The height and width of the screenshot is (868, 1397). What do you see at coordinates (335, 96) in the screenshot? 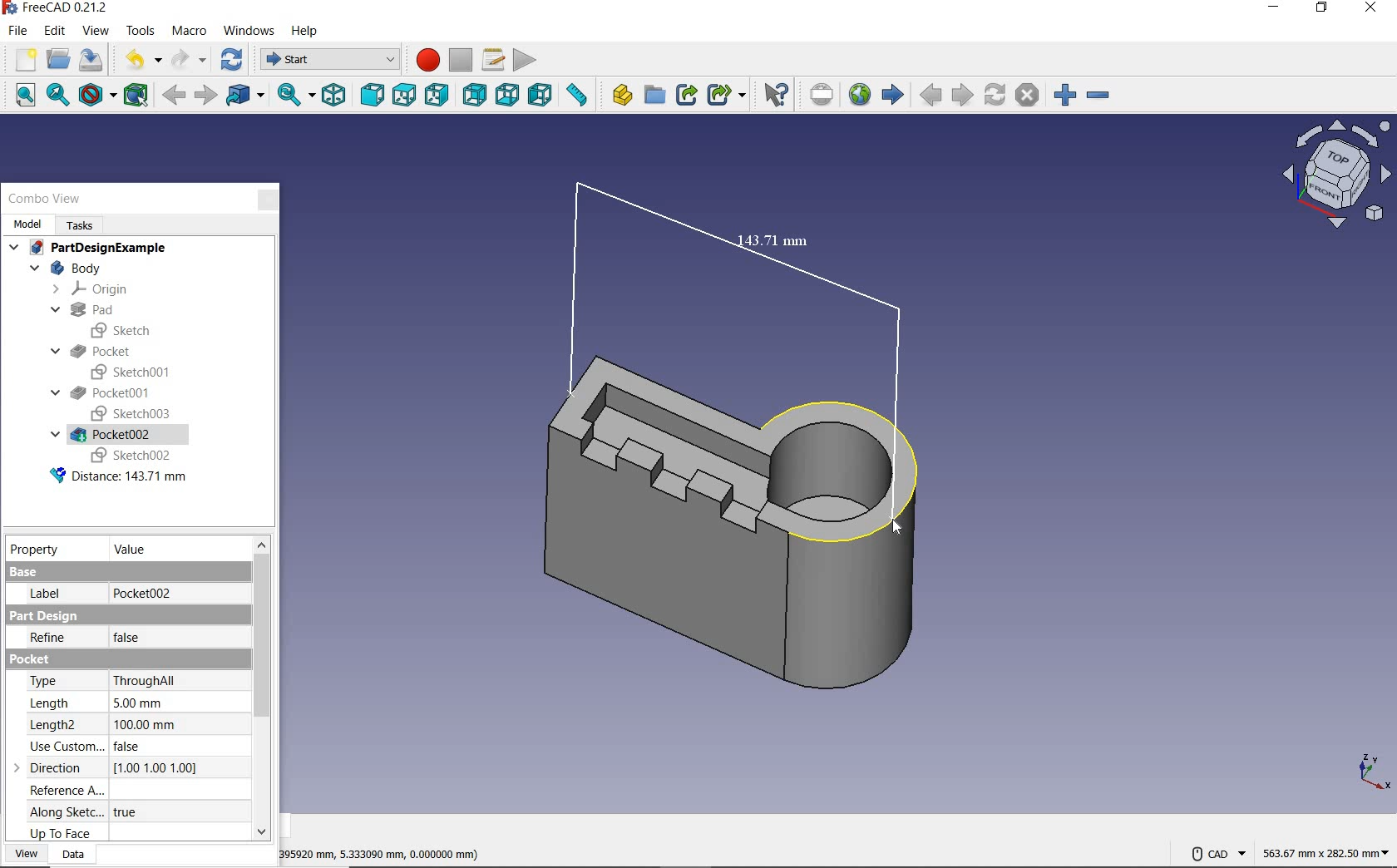
I see `isometric` at bounding box center [335, 96].